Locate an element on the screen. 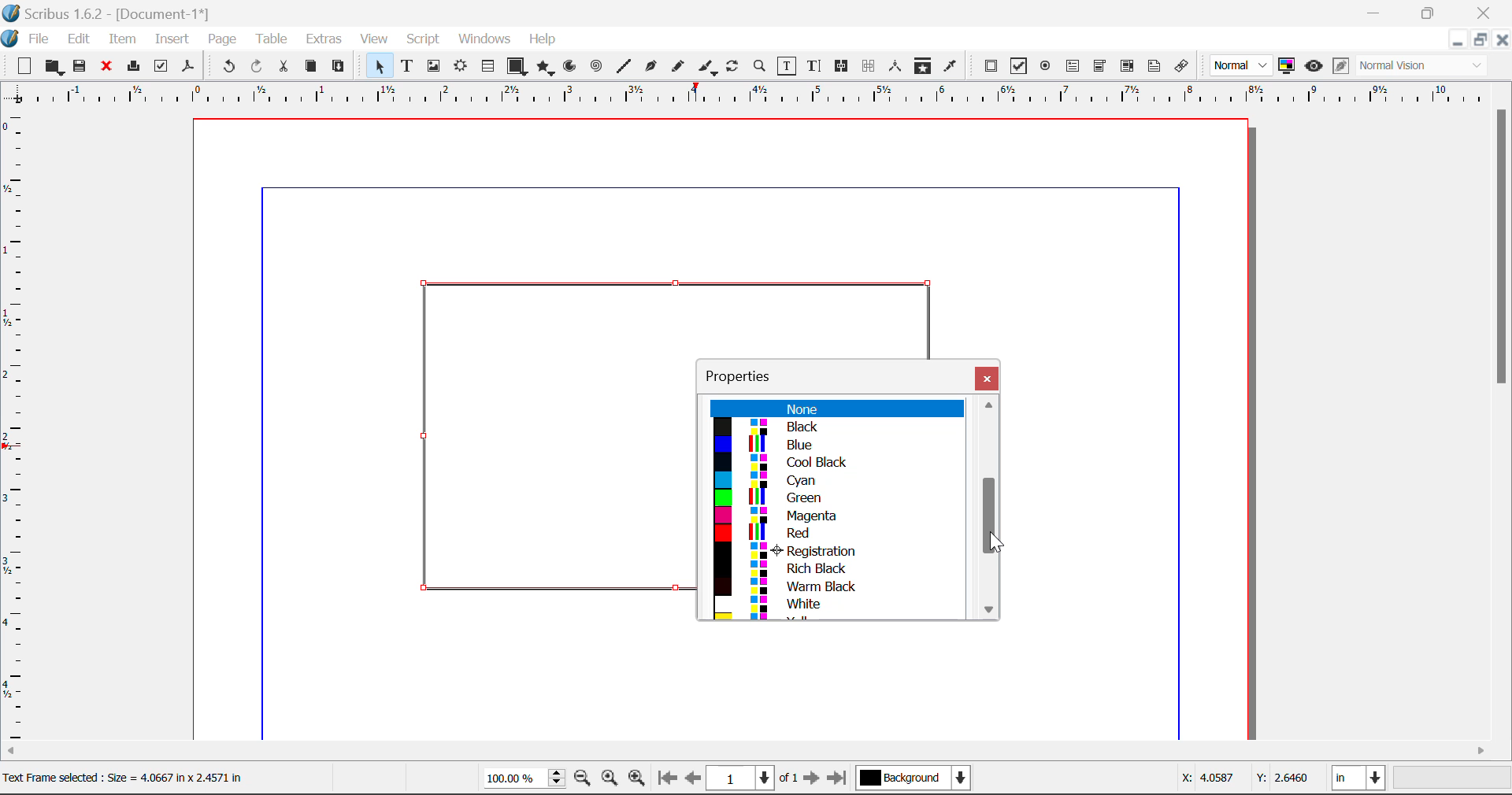 The image size is (1512, 795). Previous Page is located at coordinates (695, 781).